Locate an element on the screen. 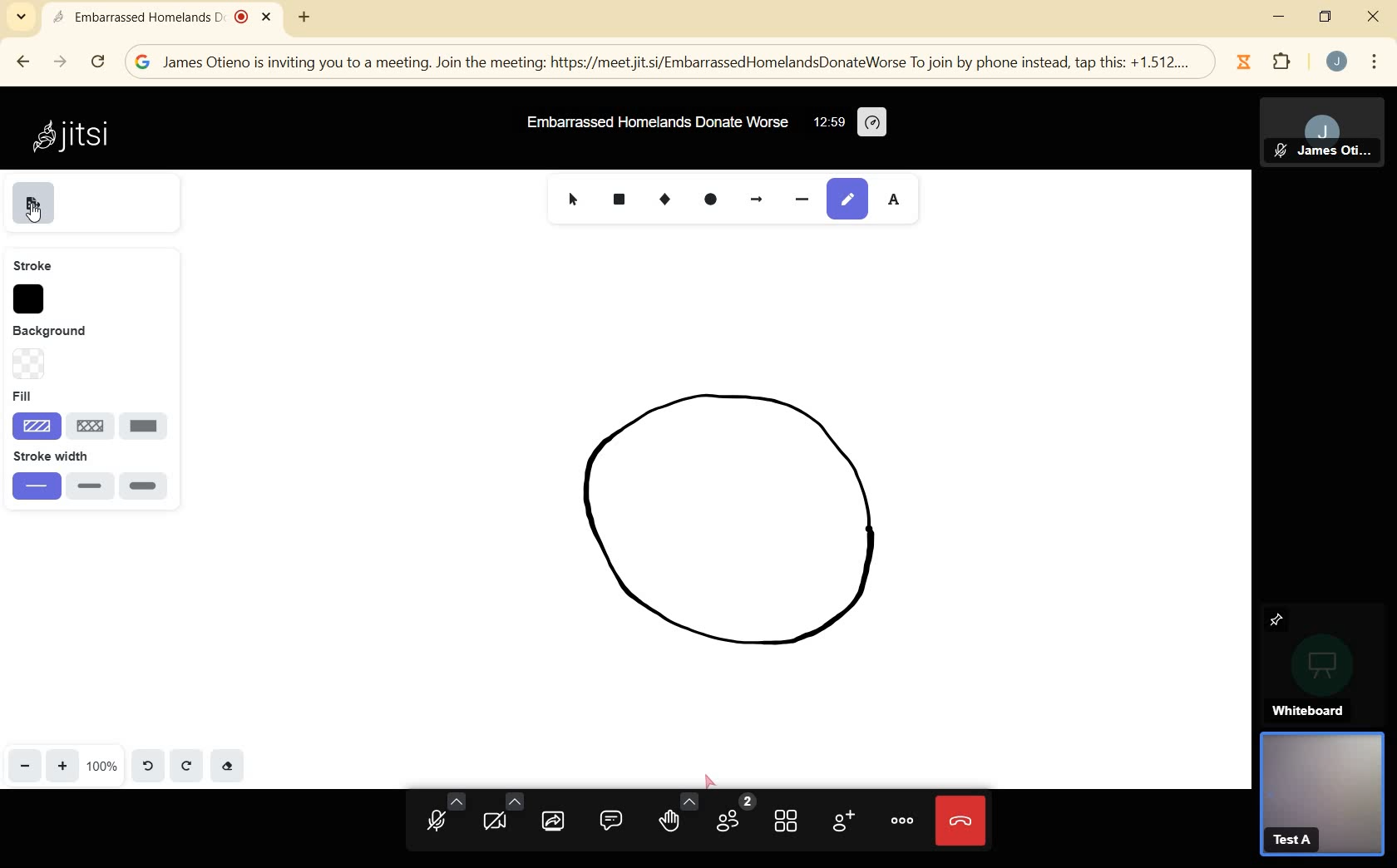 The width and height of the screenshot is (1397, 868). screen sharing is located at coordinates (555, 821).